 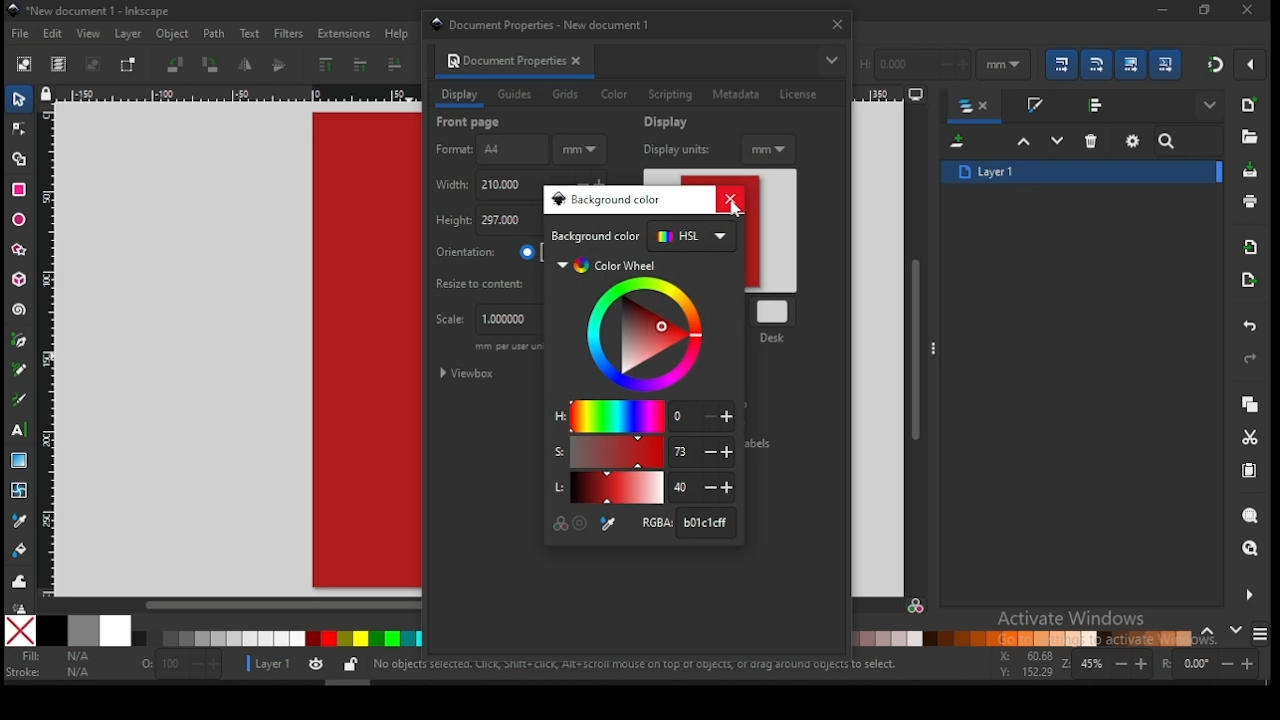 What do you see at coordinates (562, 522) in the screenshot?
I see `color managed` at bounding box center [562, 522].